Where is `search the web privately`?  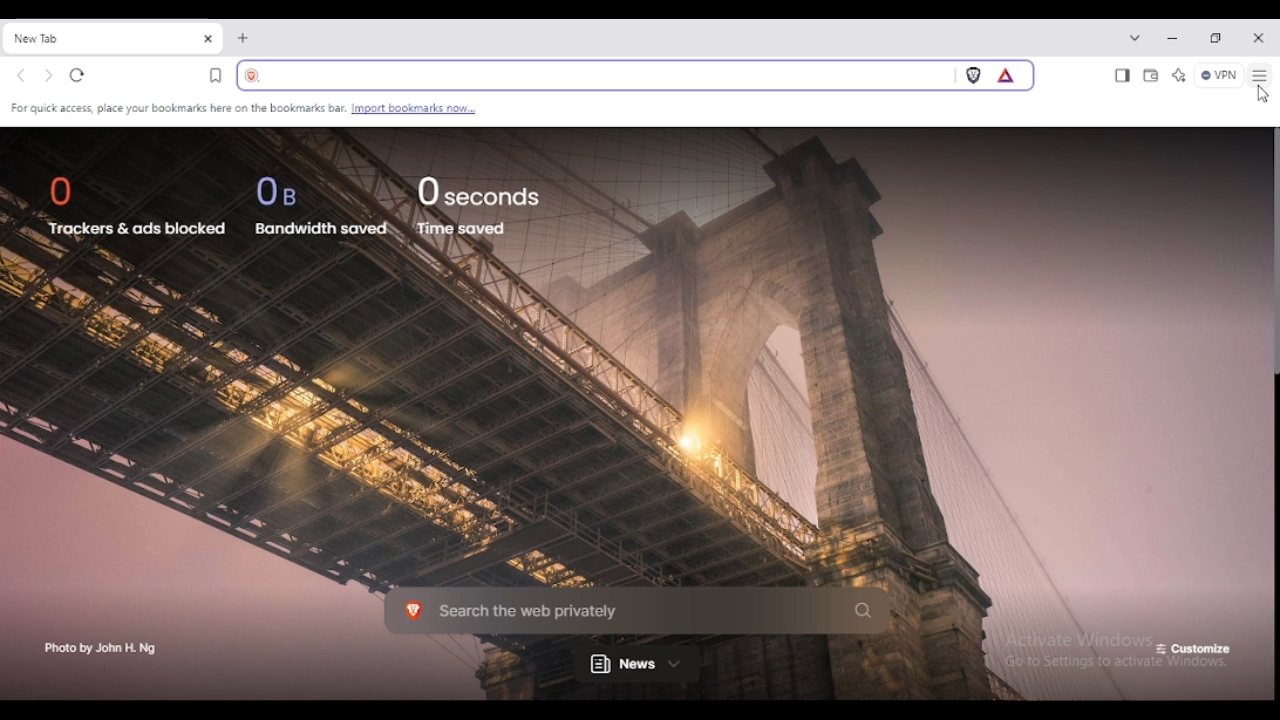 search the web privately is located at coordinates (637, 612).